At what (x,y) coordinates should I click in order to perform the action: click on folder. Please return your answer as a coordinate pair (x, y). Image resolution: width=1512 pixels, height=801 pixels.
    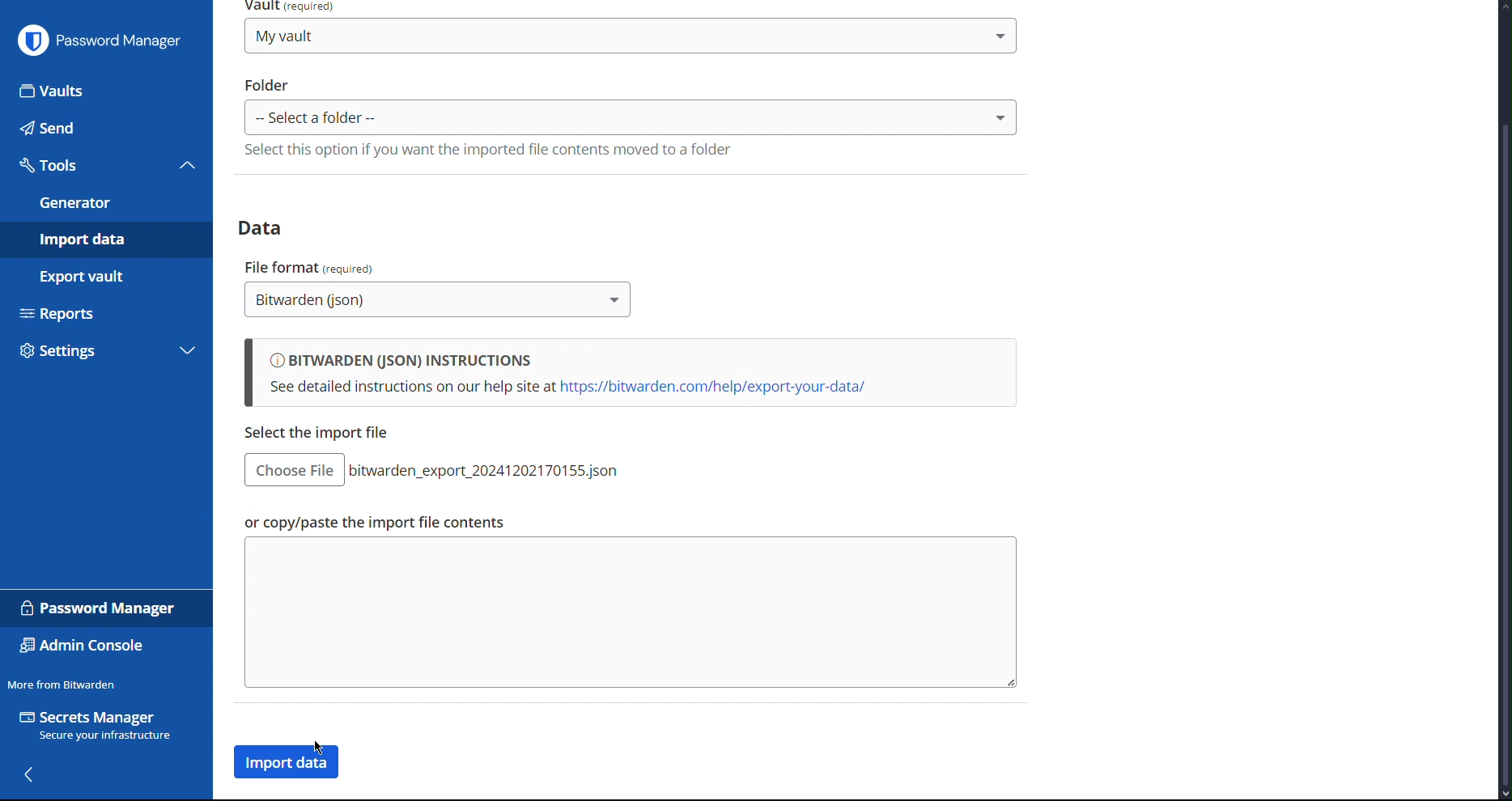
    Looking at the image, I should click on (268, 84).